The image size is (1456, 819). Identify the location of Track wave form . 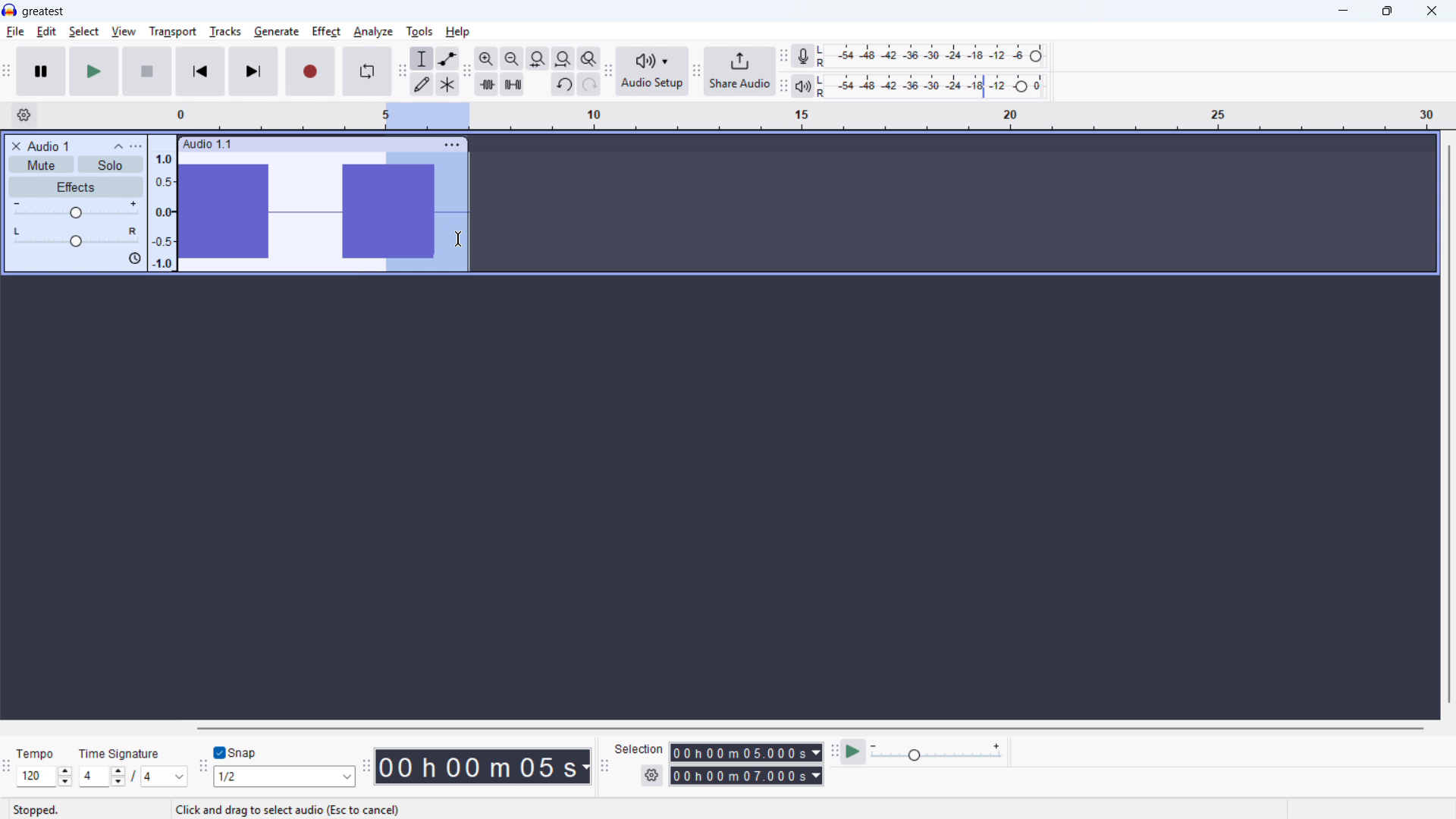
(278, 212).